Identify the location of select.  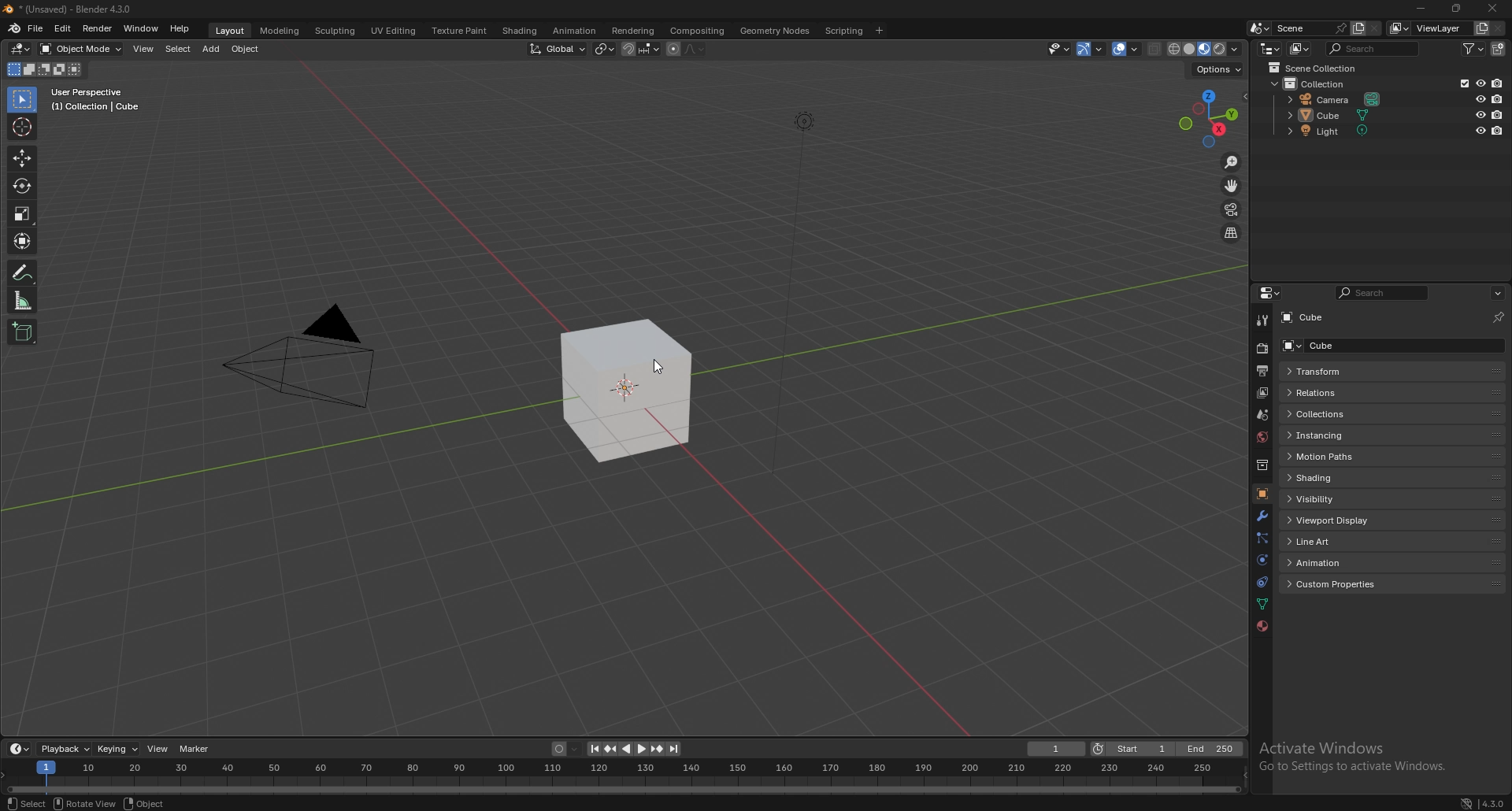
(27, 802).